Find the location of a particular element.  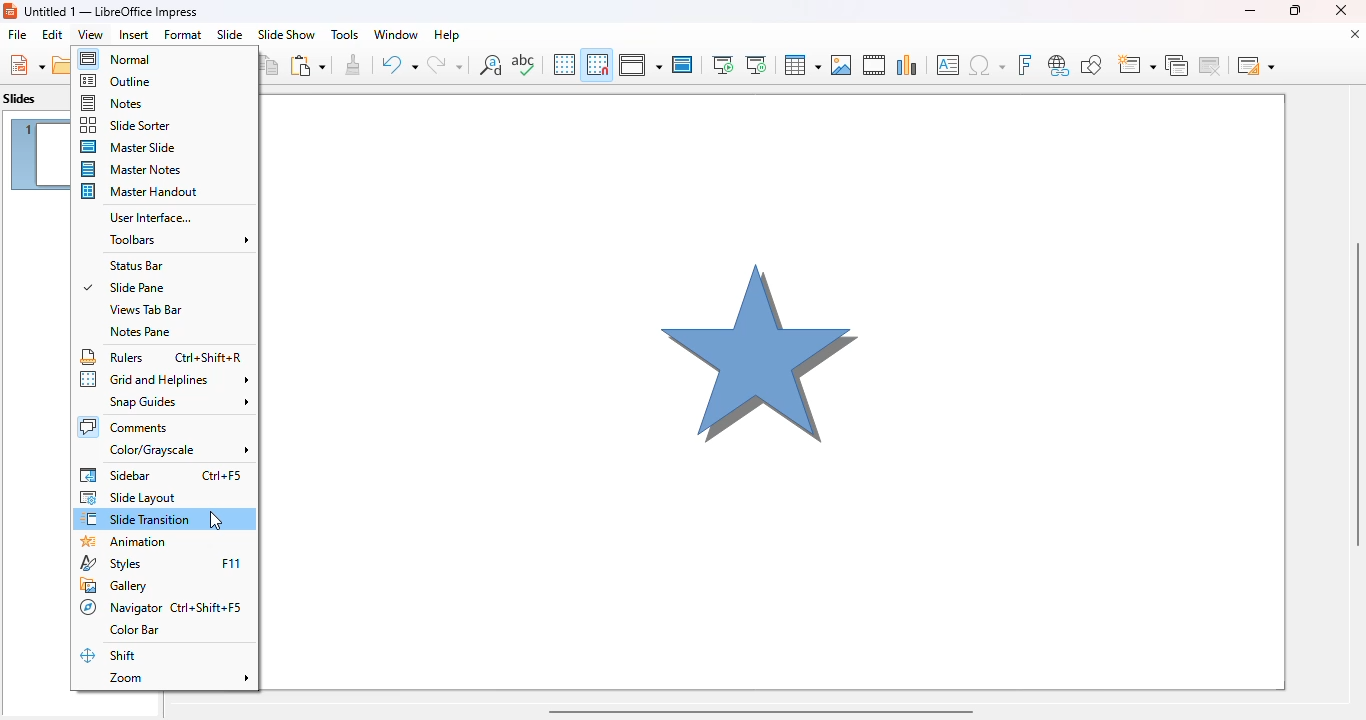

notes is located at coordinates (112, 102).